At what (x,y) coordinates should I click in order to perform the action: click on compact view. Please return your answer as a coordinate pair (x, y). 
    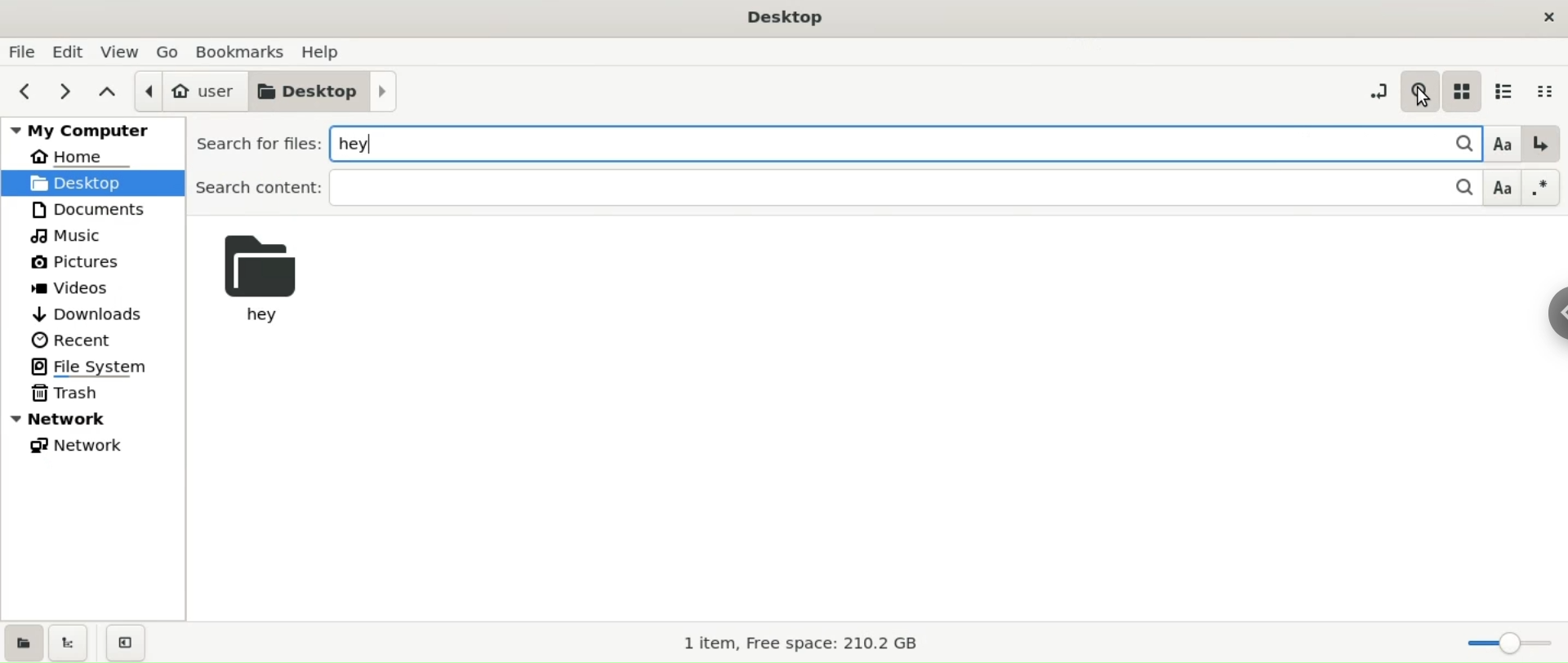
    Looking at the image, I should click on (1548, 92).